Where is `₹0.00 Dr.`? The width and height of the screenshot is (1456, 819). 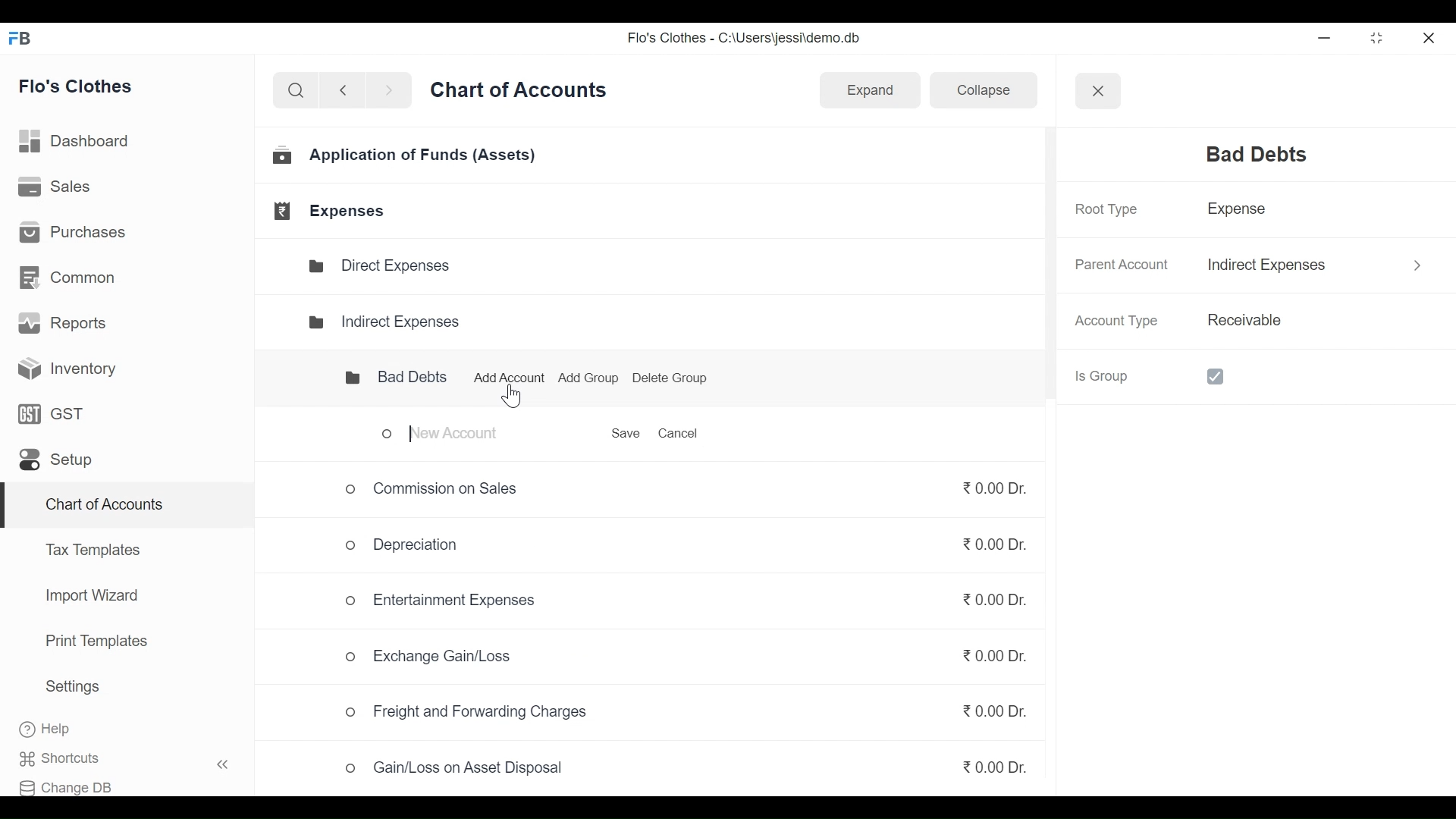
₹0.00 Dr. is located at coordinates (984, 661).